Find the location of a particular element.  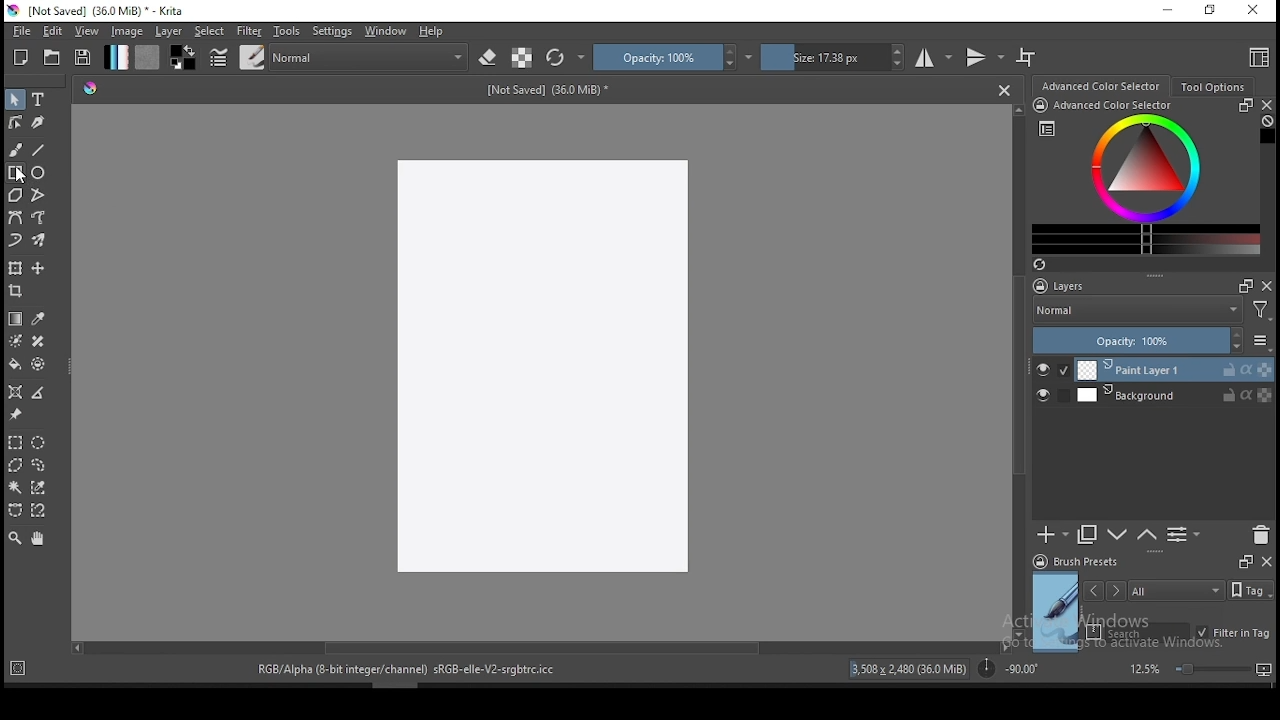

image is located at coordinates (126, 31).